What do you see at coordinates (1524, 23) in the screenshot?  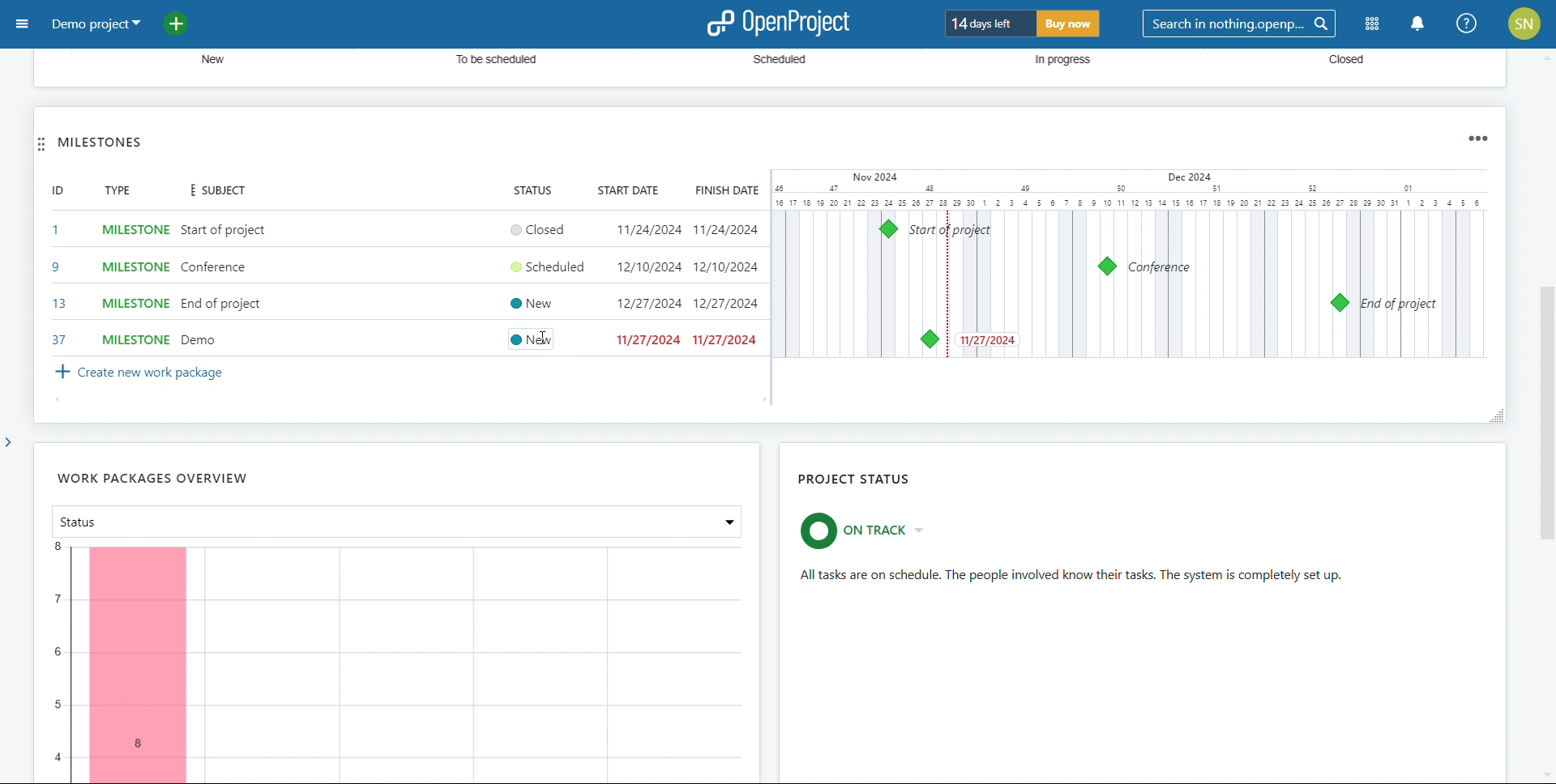 I see `account` at bounding box center [1524, 23].